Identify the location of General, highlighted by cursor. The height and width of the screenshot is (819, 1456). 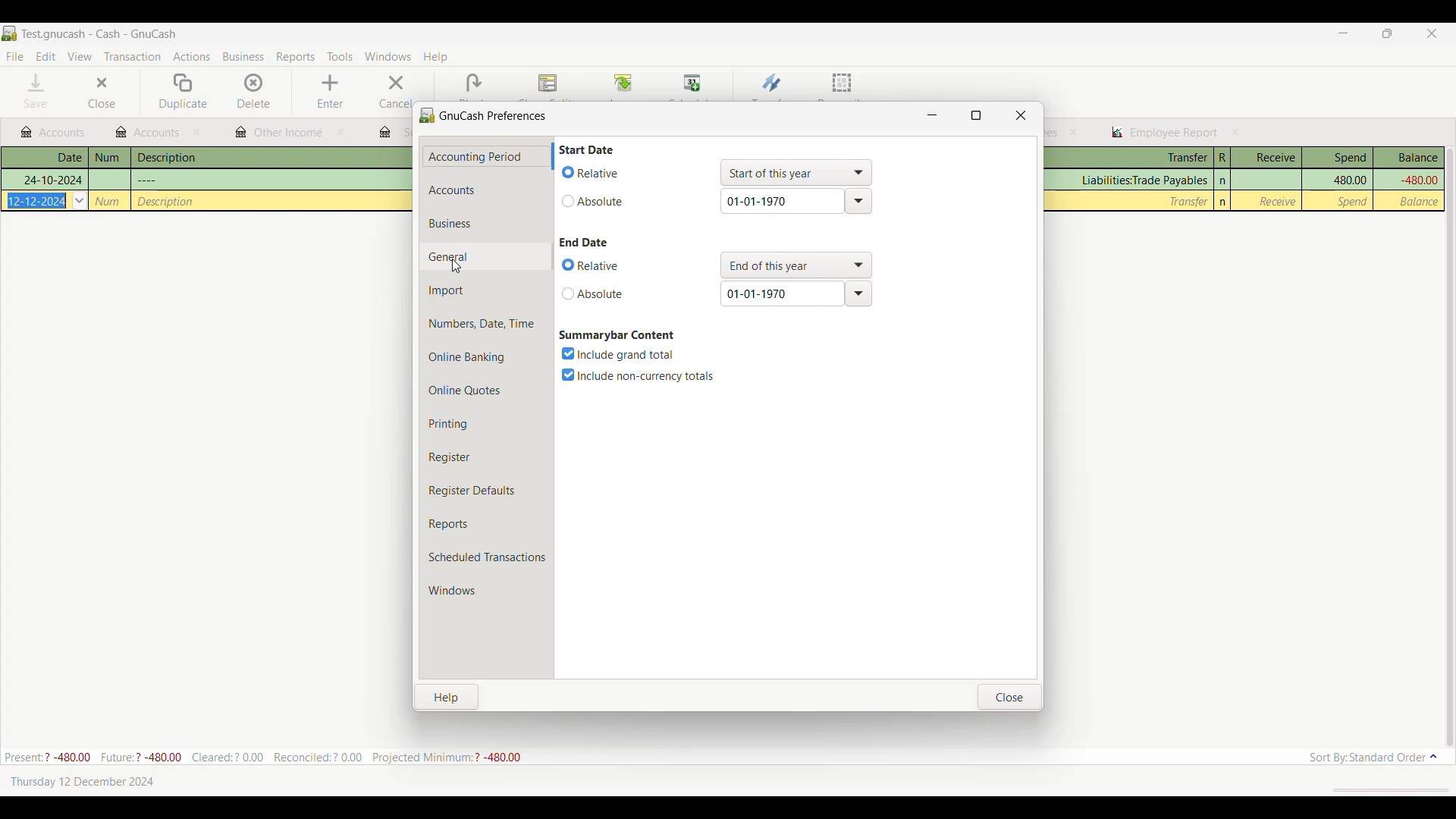
(485, 256).